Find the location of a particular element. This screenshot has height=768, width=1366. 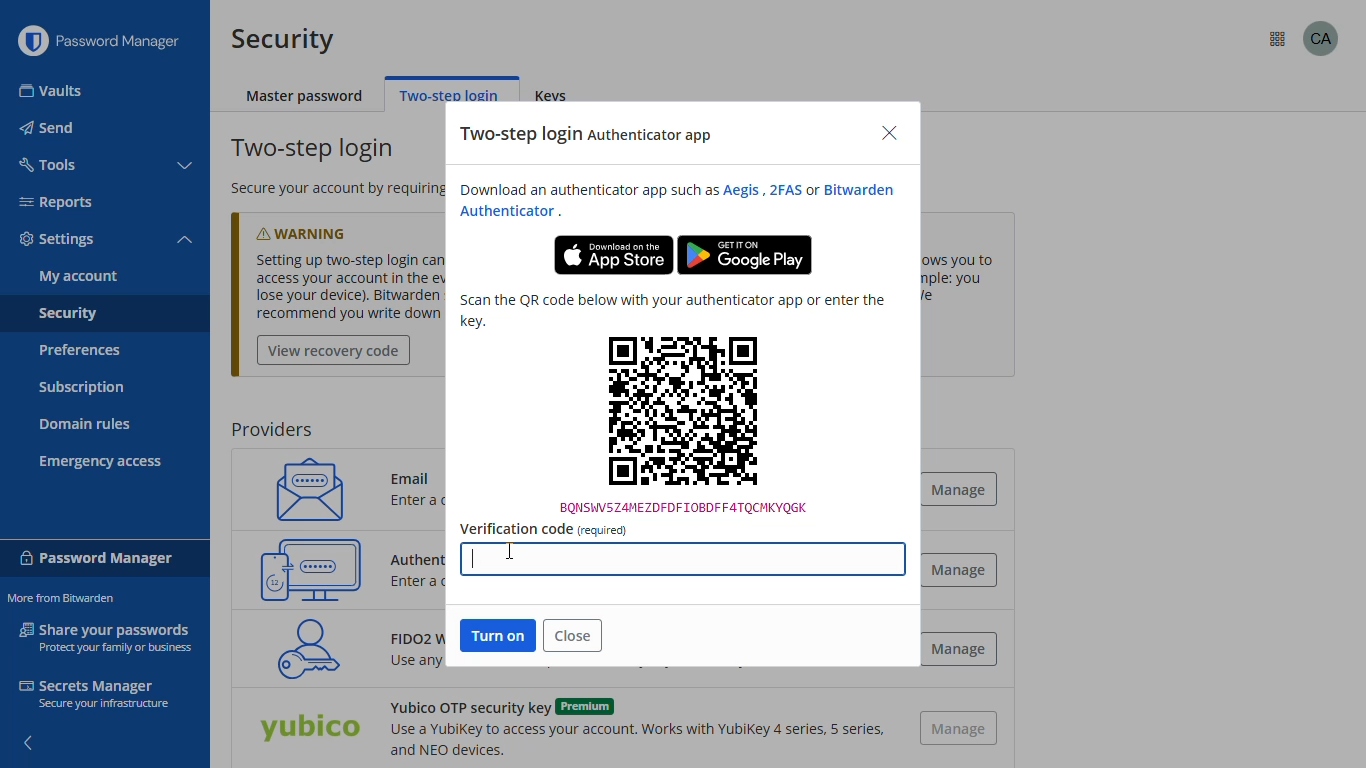

type verification code is located at coordinates (685, 560).